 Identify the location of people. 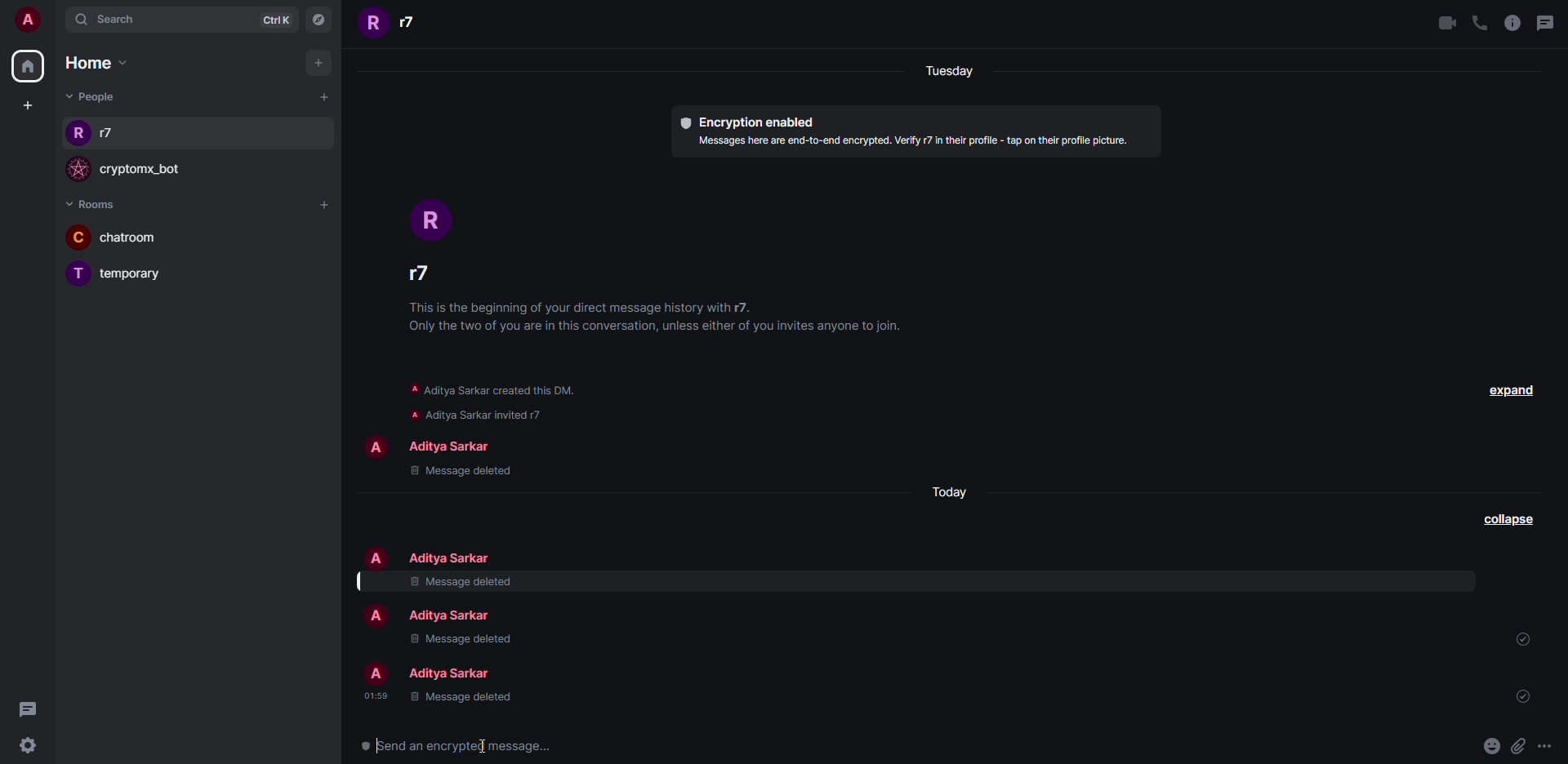
(450, 445).